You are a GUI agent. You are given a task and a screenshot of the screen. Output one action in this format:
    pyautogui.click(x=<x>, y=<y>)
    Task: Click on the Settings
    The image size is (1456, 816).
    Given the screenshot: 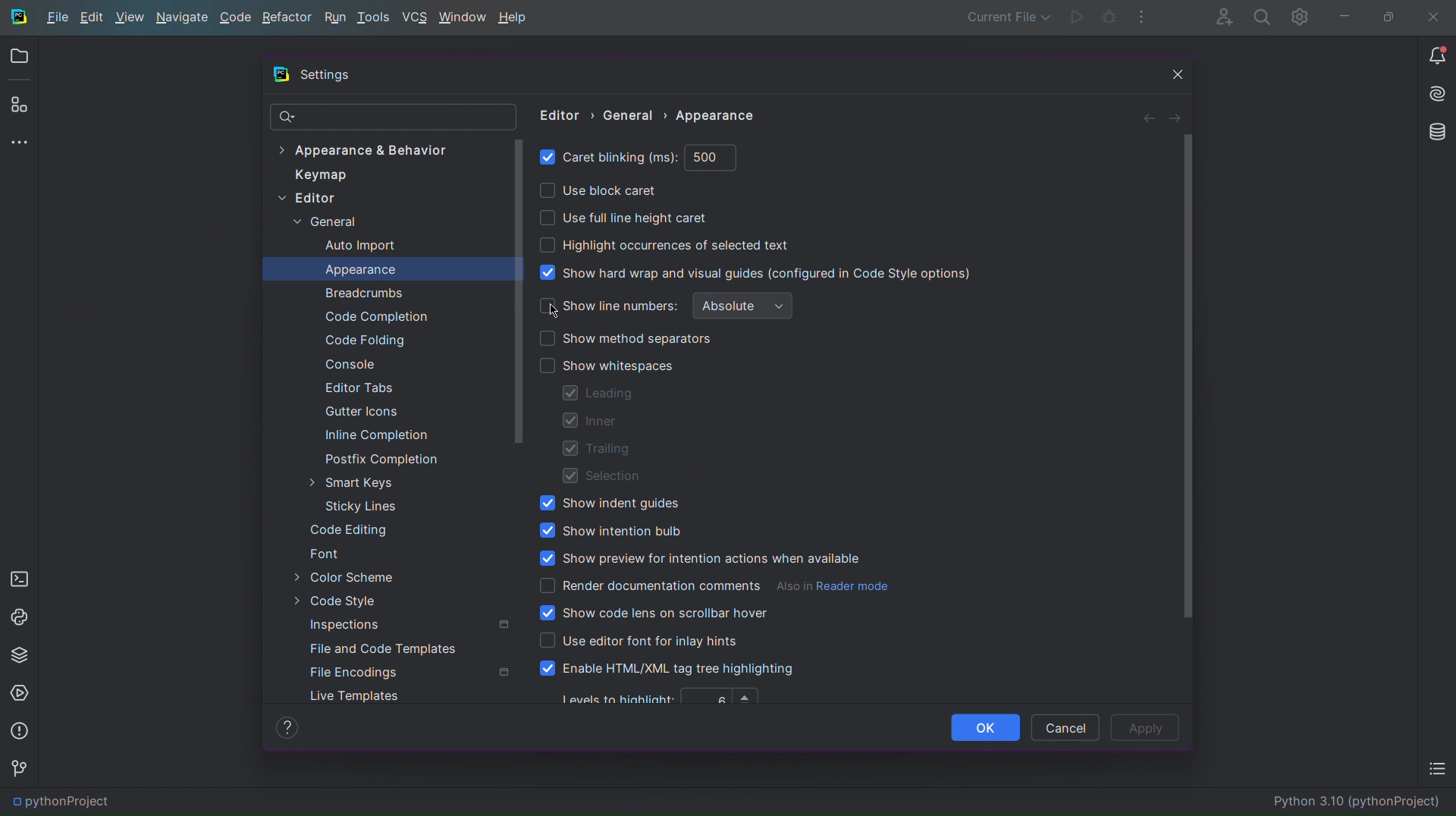 What is the action you would take?
    pyautogui.click(x=1300, y=17)
    